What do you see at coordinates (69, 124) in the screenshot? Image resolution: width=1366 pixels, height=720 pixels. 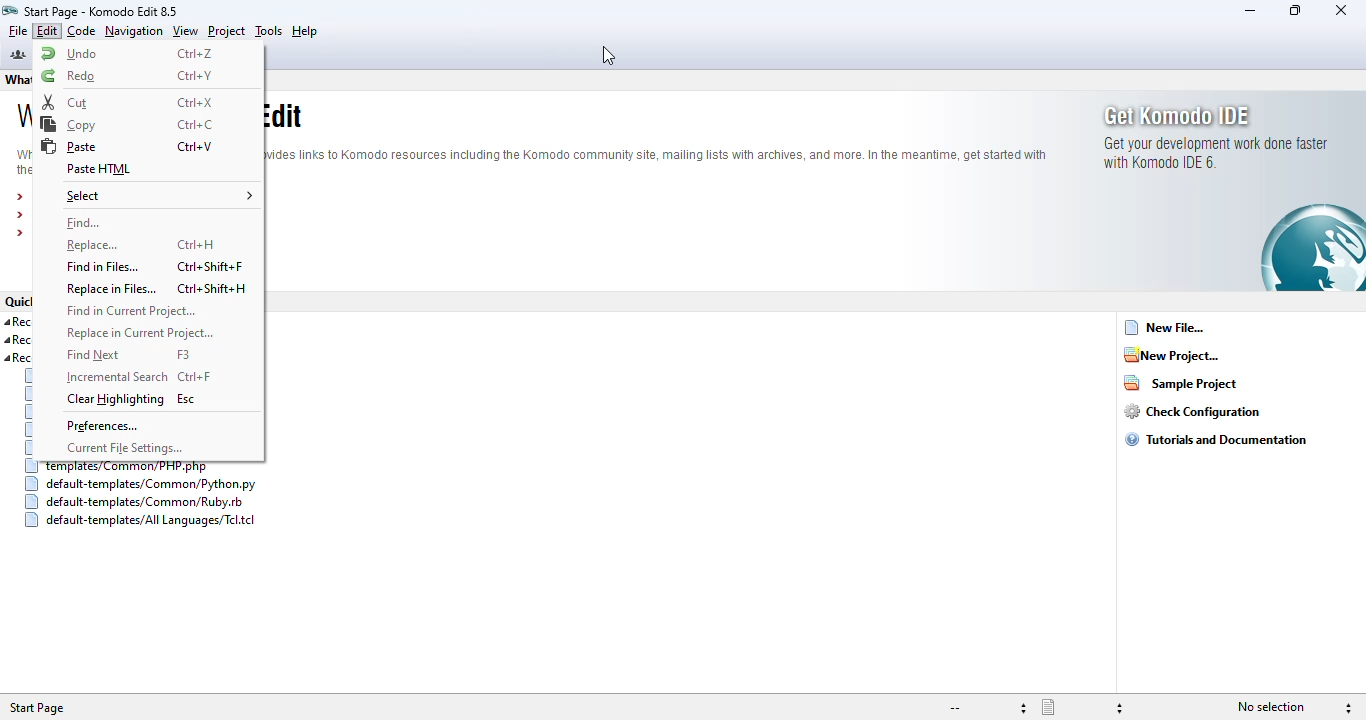 I see `copy` at bounding box center [69, 124].